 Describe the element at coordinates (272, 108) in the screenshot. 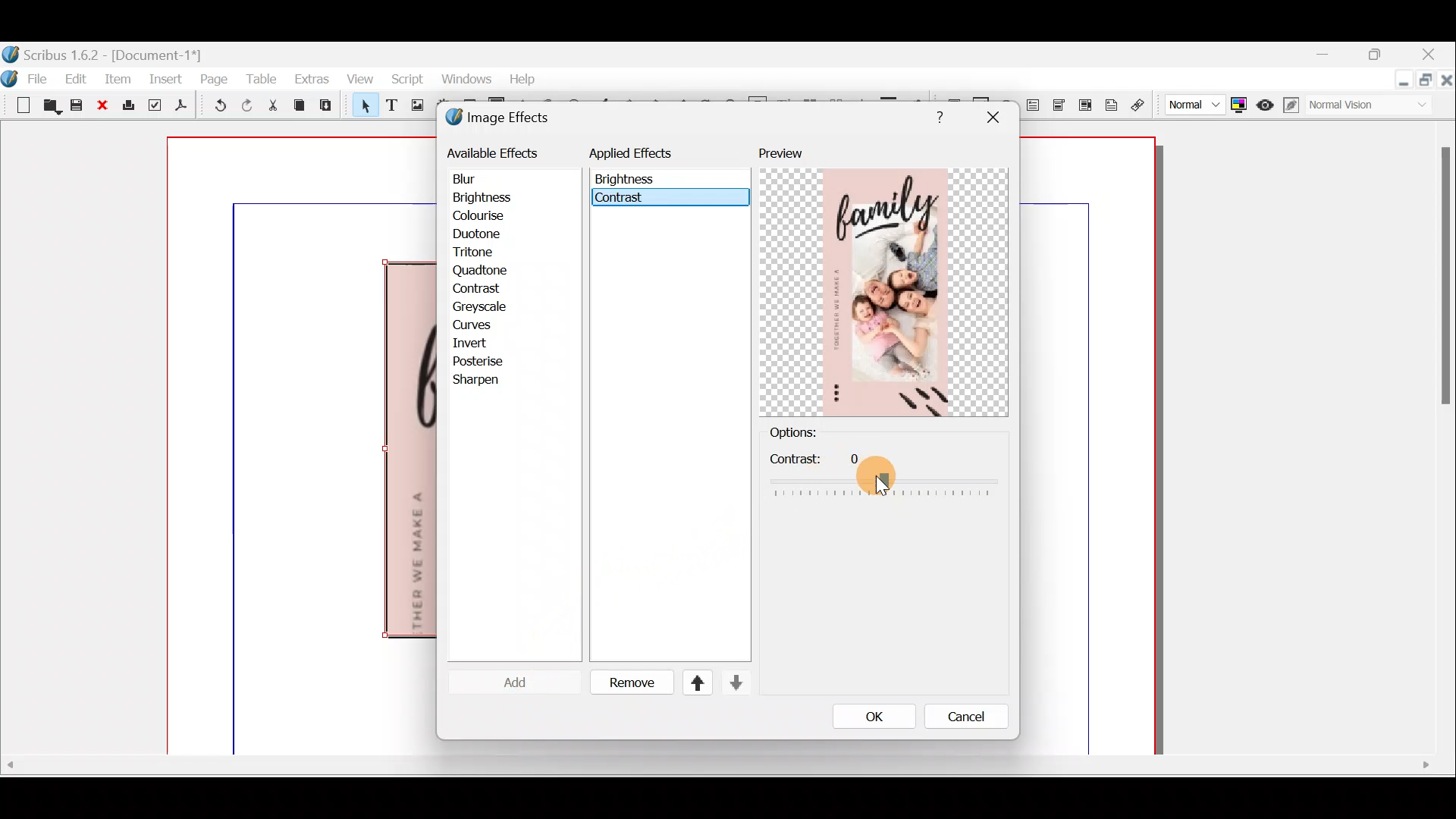

I see `Cut` at that location.